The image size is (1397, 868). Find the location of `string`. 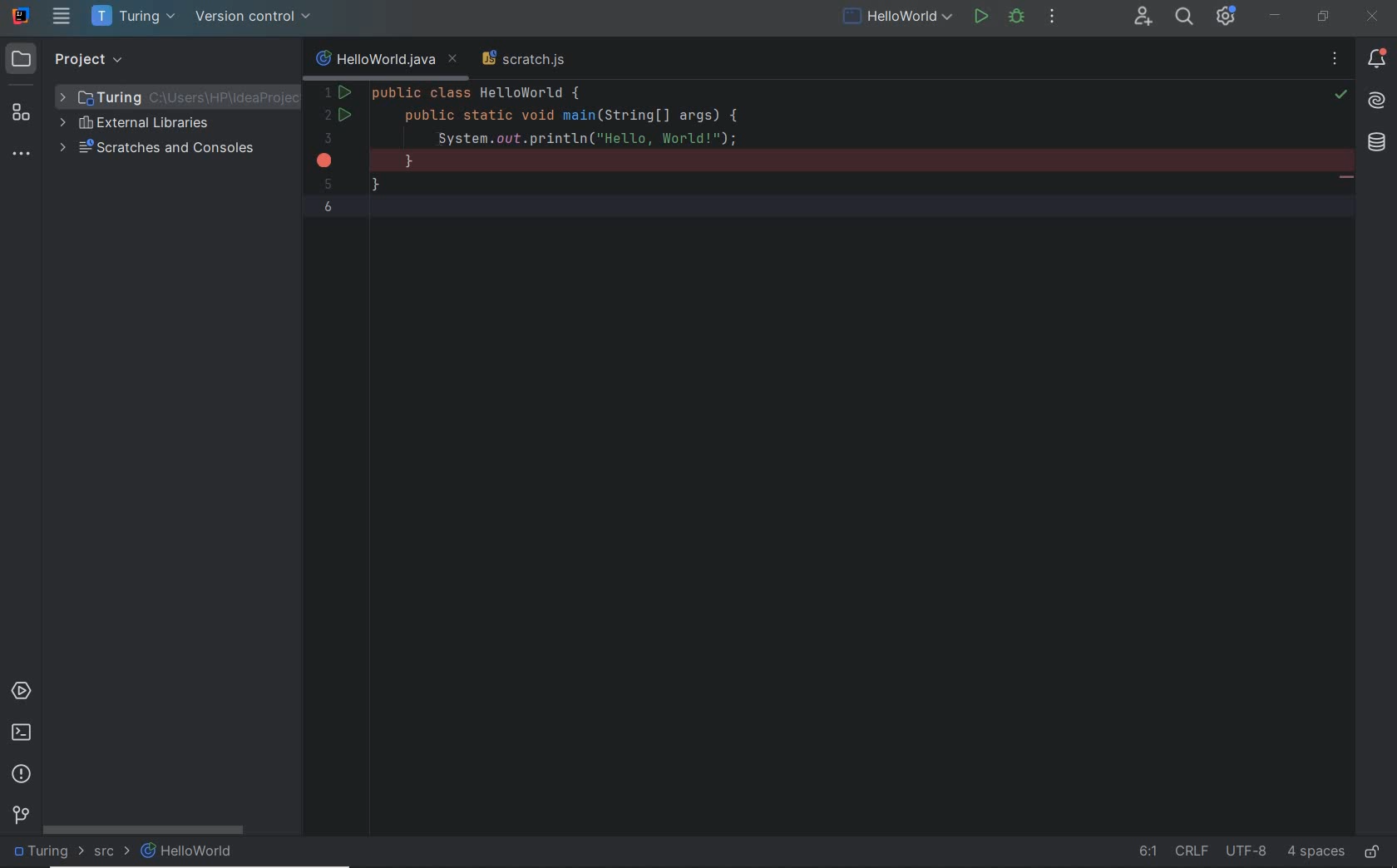

string is located at coordinates (1348, 180).